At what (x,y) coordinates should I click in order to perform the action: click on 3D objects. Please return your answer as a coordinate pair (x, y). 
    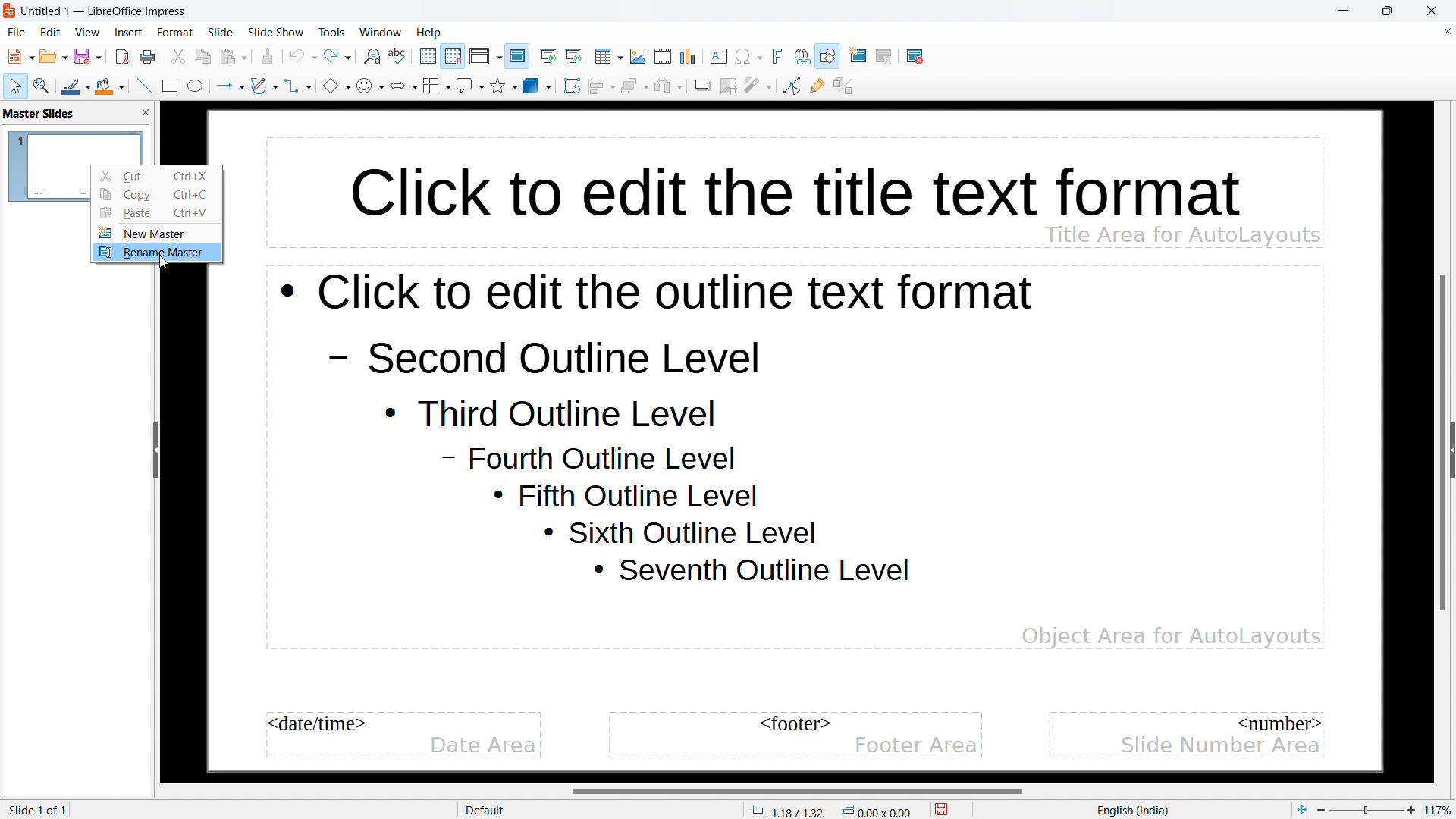
    Looking at the image, I should click on (538, 86).